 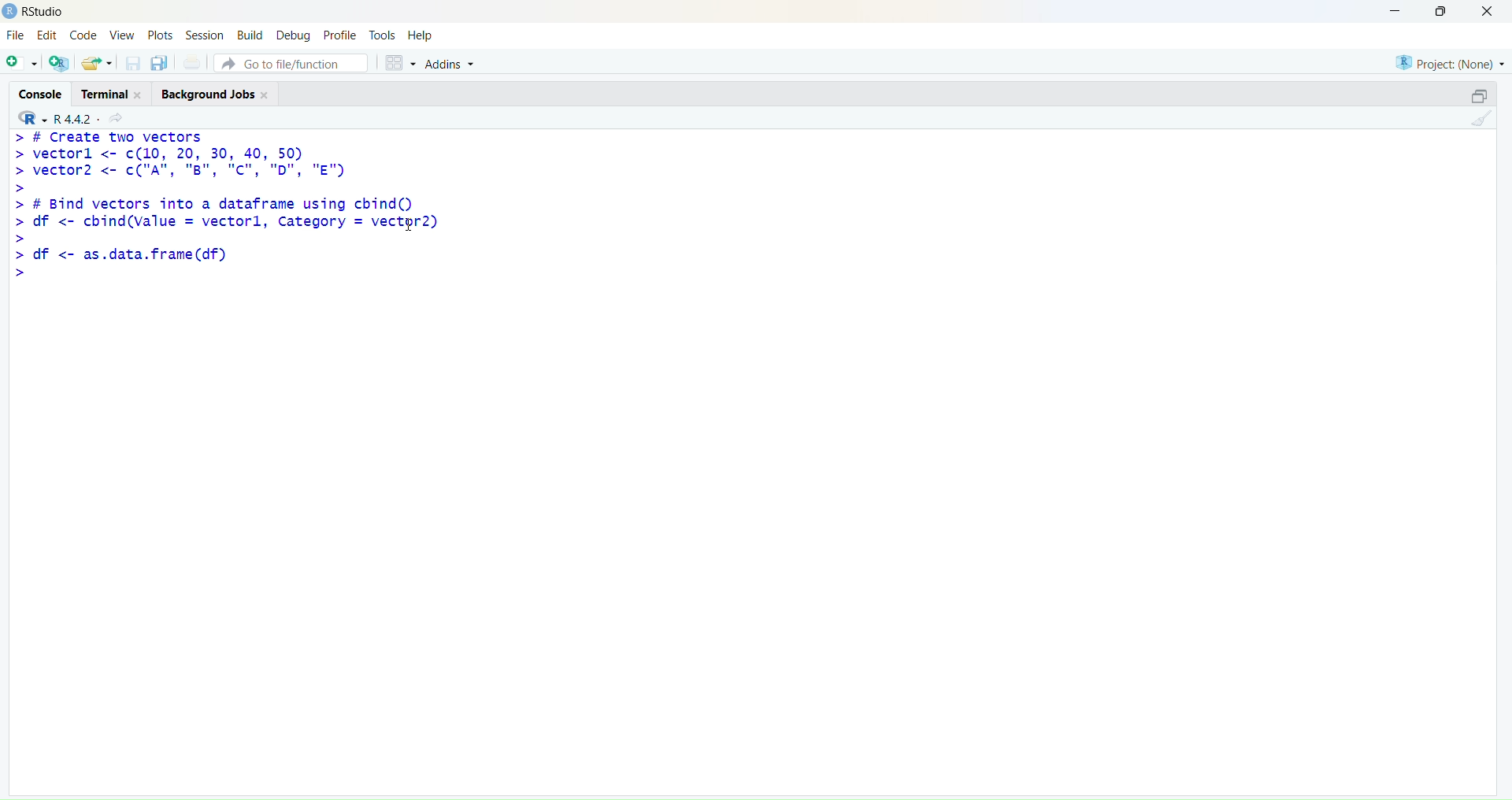 I want to click on cursor, so click(x=409, y=224).